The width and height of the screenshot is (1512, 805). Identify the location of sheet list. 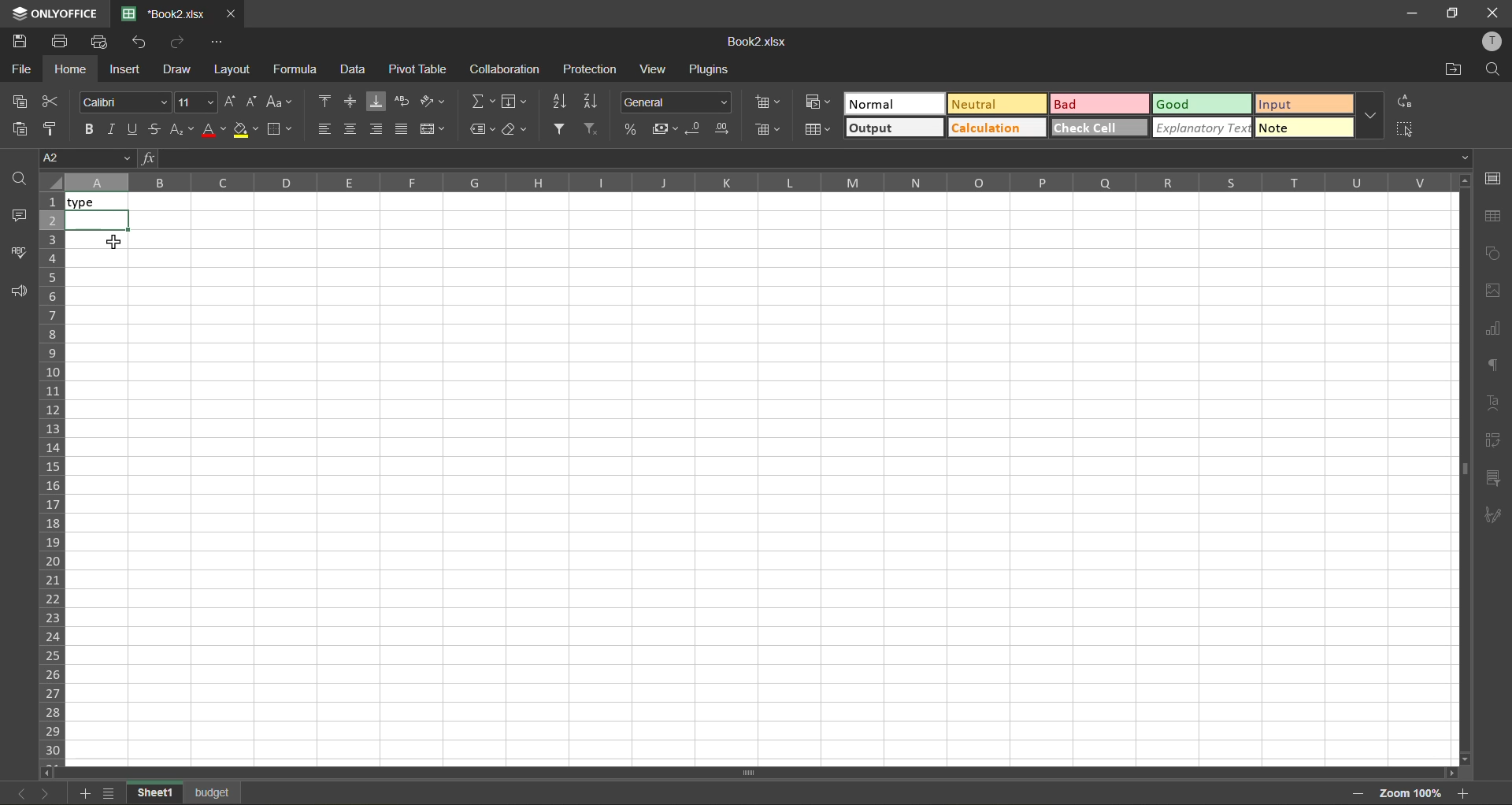
(110, 793).